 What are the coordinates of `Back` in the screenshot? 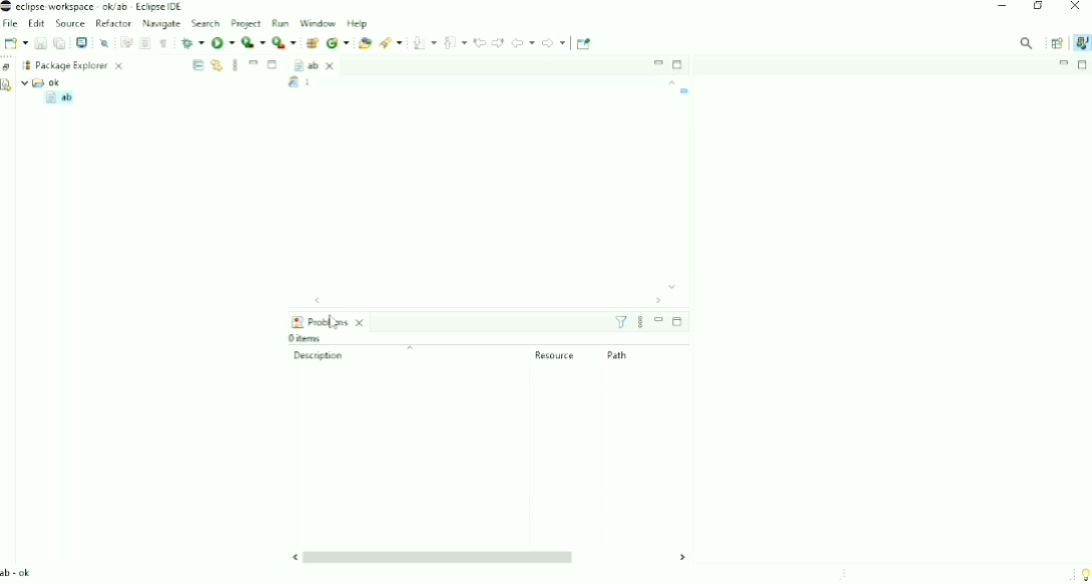 It's located at (523, 42).